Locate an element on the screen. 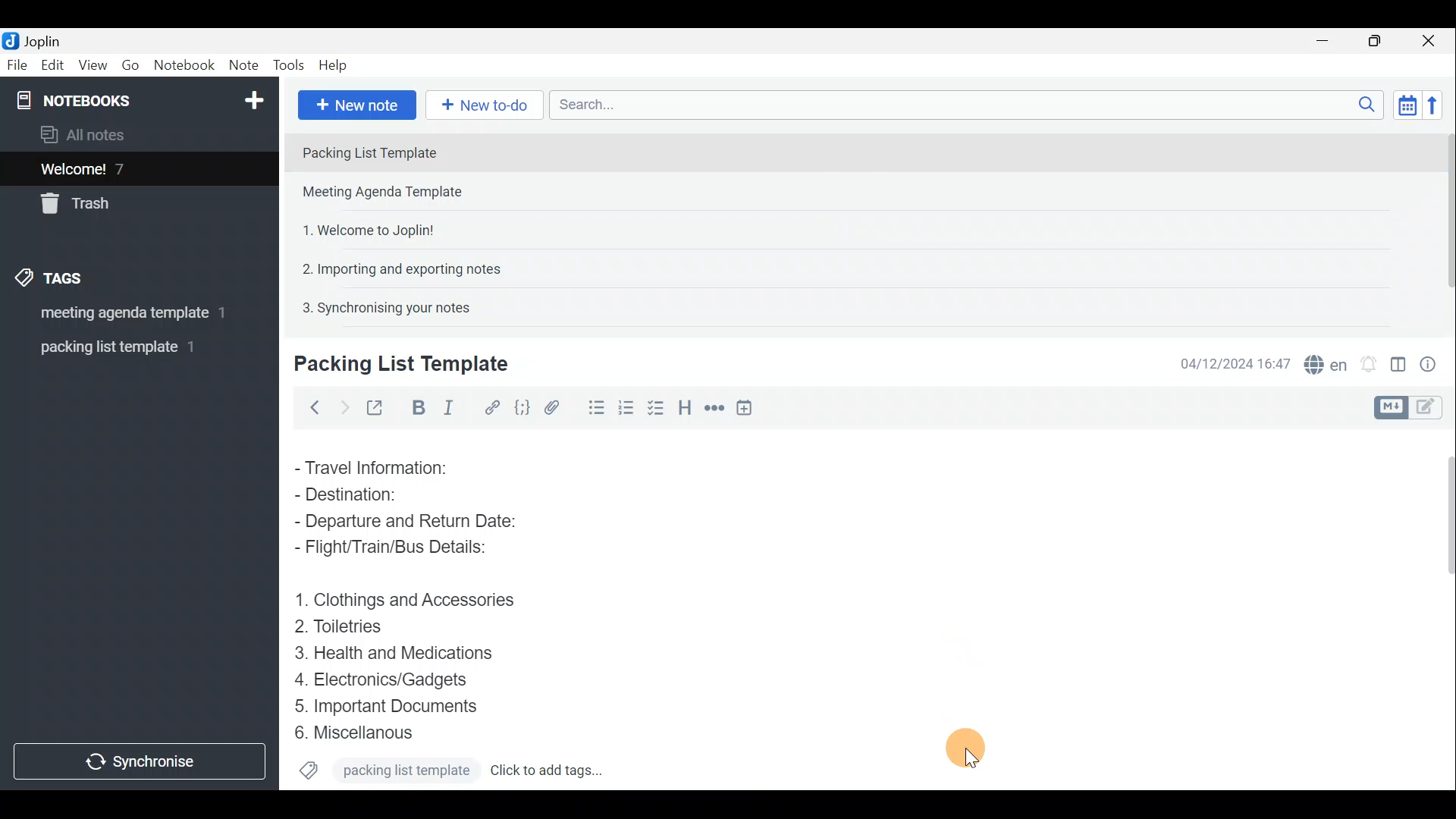 The width and height of the screenshot is (1456, 819). Cursor is located at coordinates (959, 747).